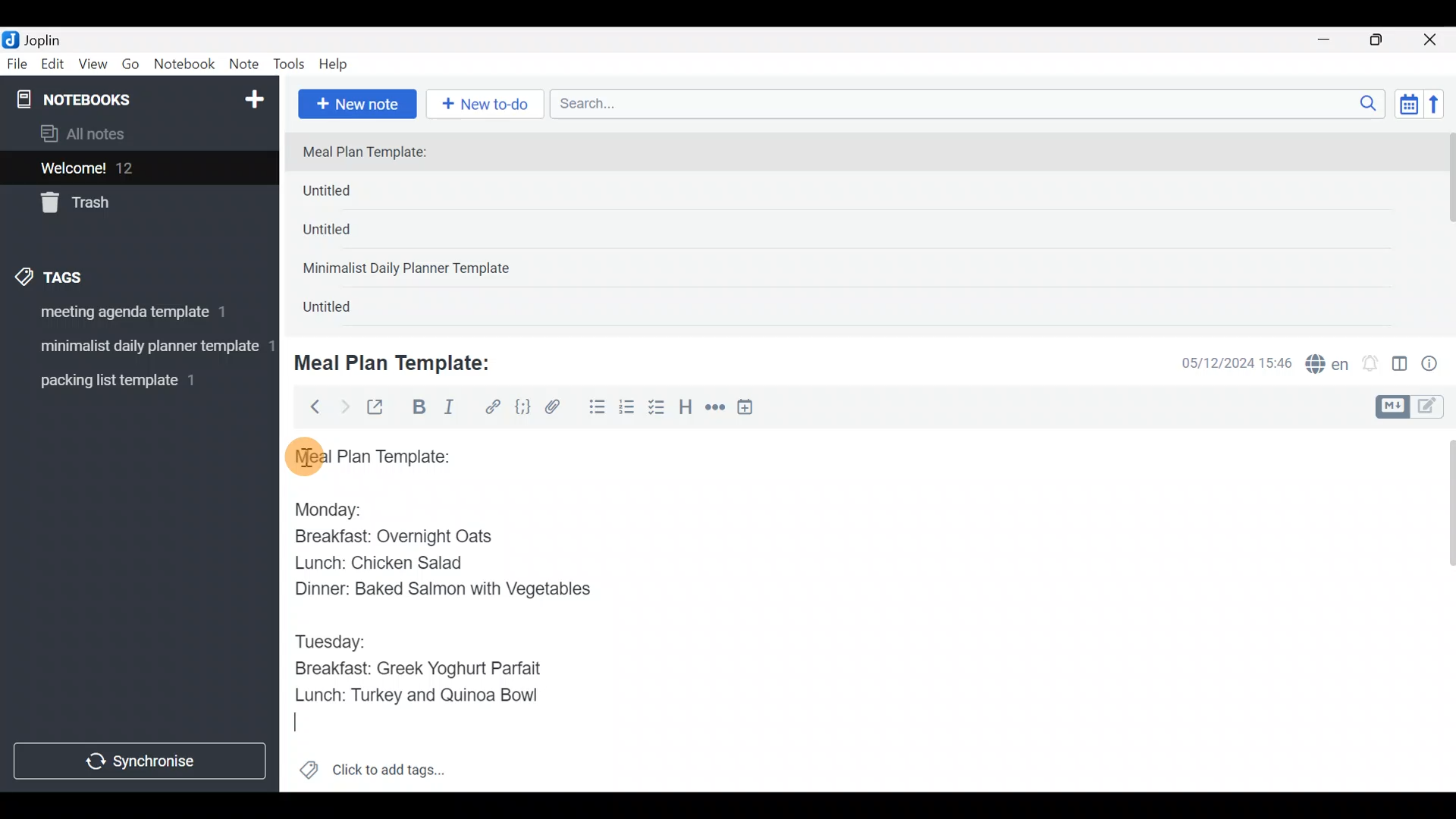  Describe the element at coordinates (447, 410) in the screenshot. I see `Italic` at that location.